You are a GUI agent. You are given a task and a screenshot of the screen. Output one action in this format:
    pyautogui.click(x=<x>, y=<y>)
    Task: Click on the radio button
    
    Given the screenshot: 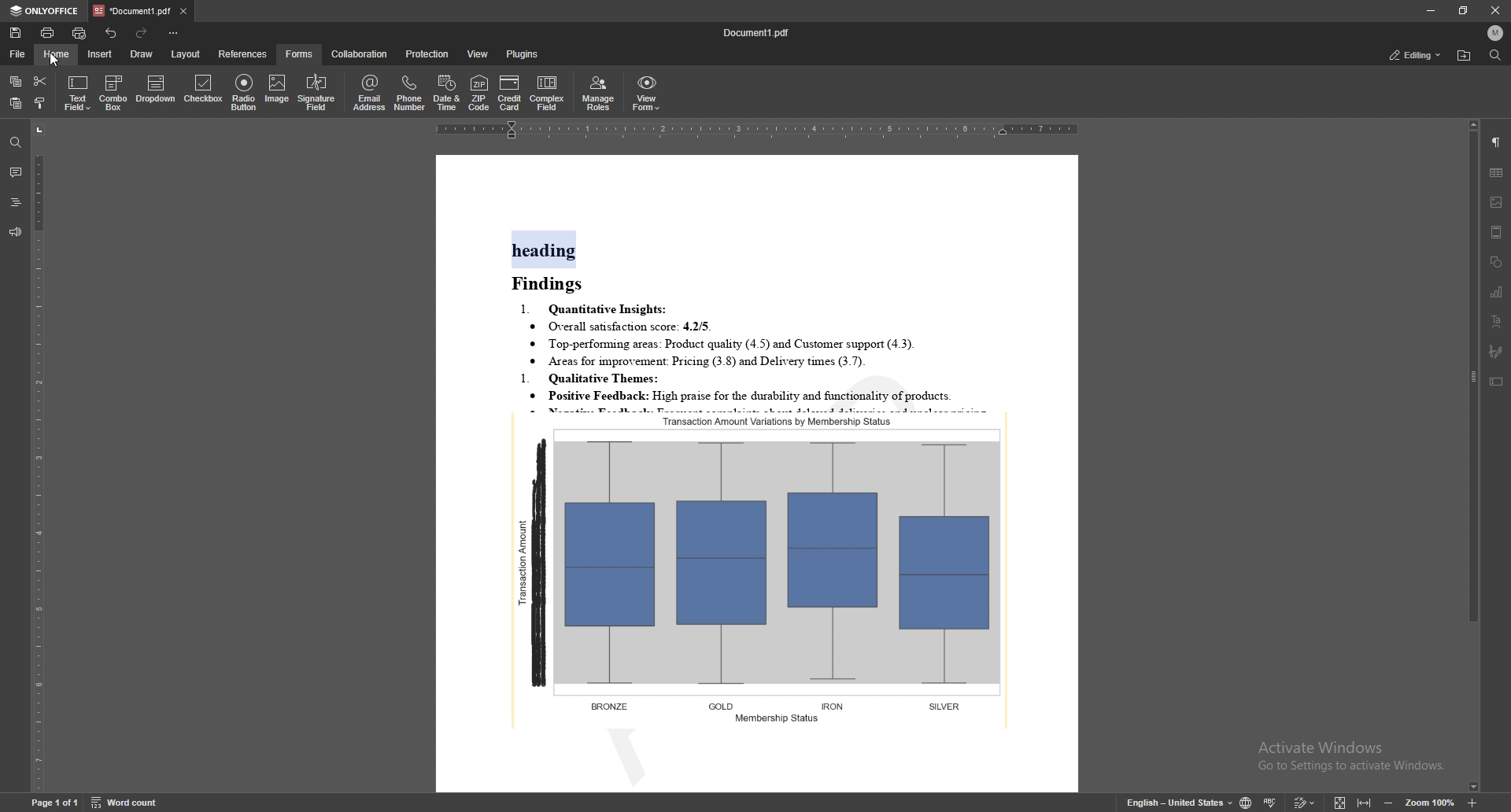 What is the action you would take?
    pyautogui.click(x=243, y=94)
    